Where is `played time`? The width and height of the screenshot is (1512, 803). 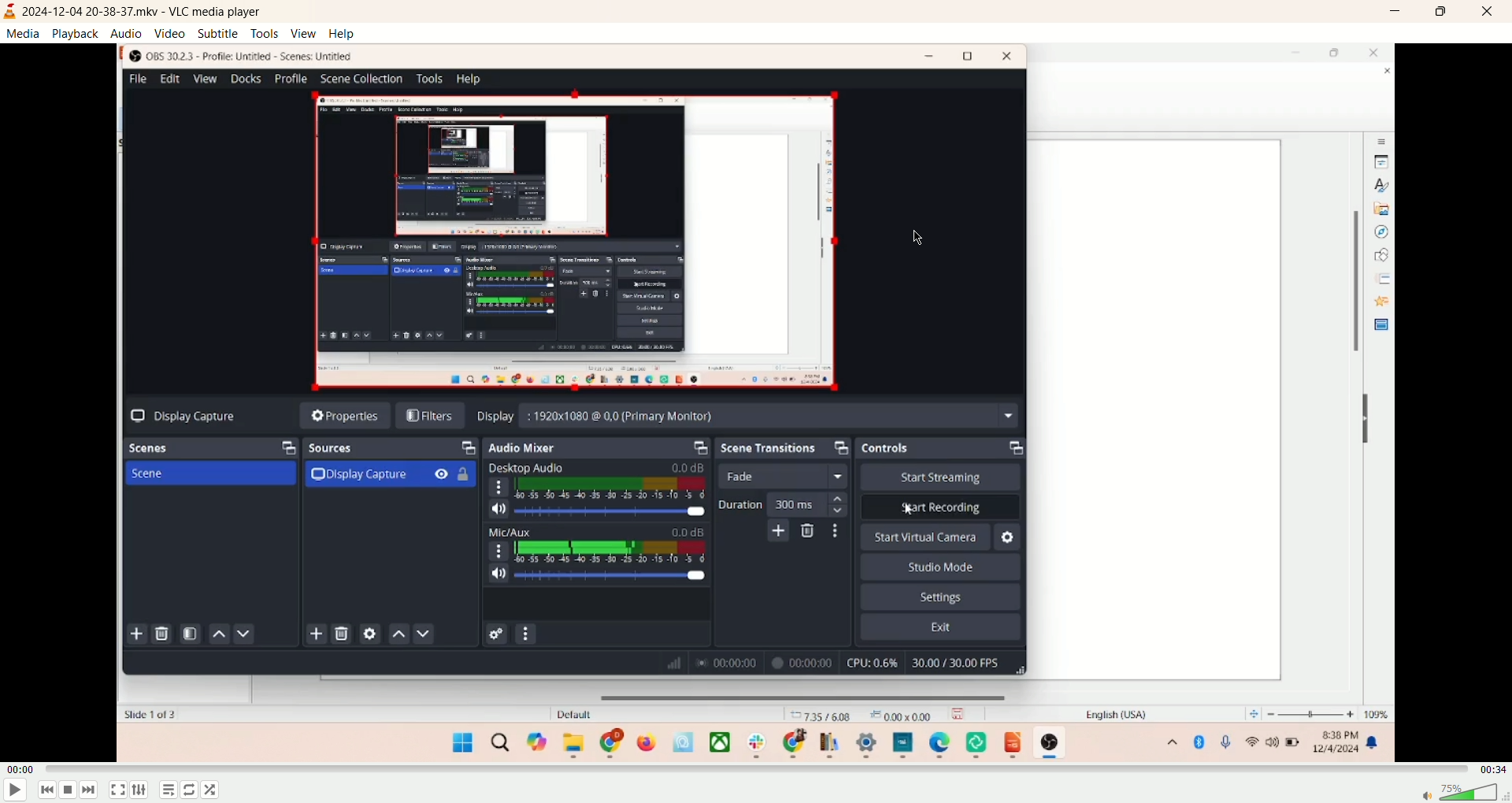 played time is located at coordinates (18, 768).